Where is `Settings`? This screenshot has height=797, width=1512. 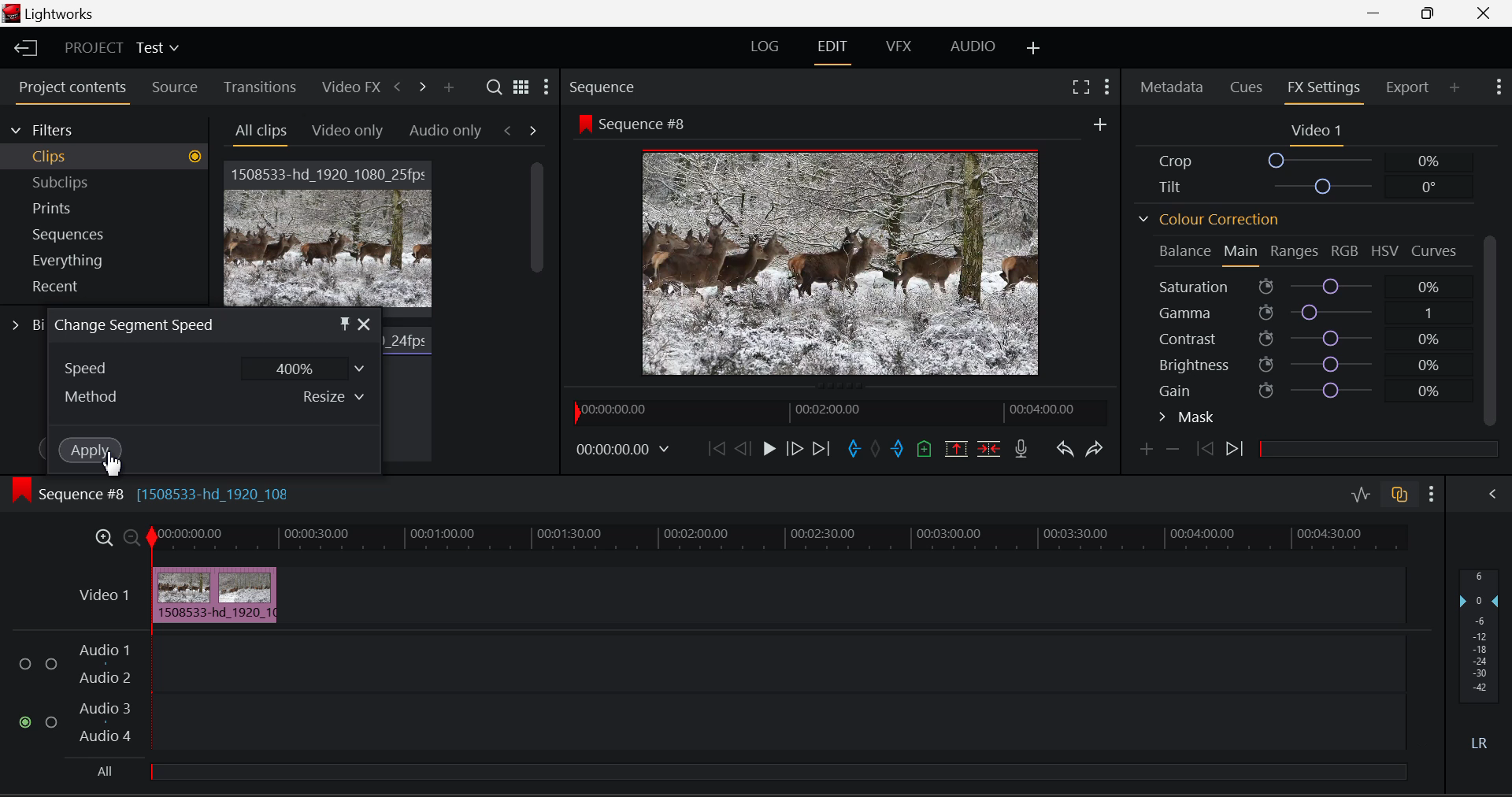
Settings is located at coordinates (549, 87).